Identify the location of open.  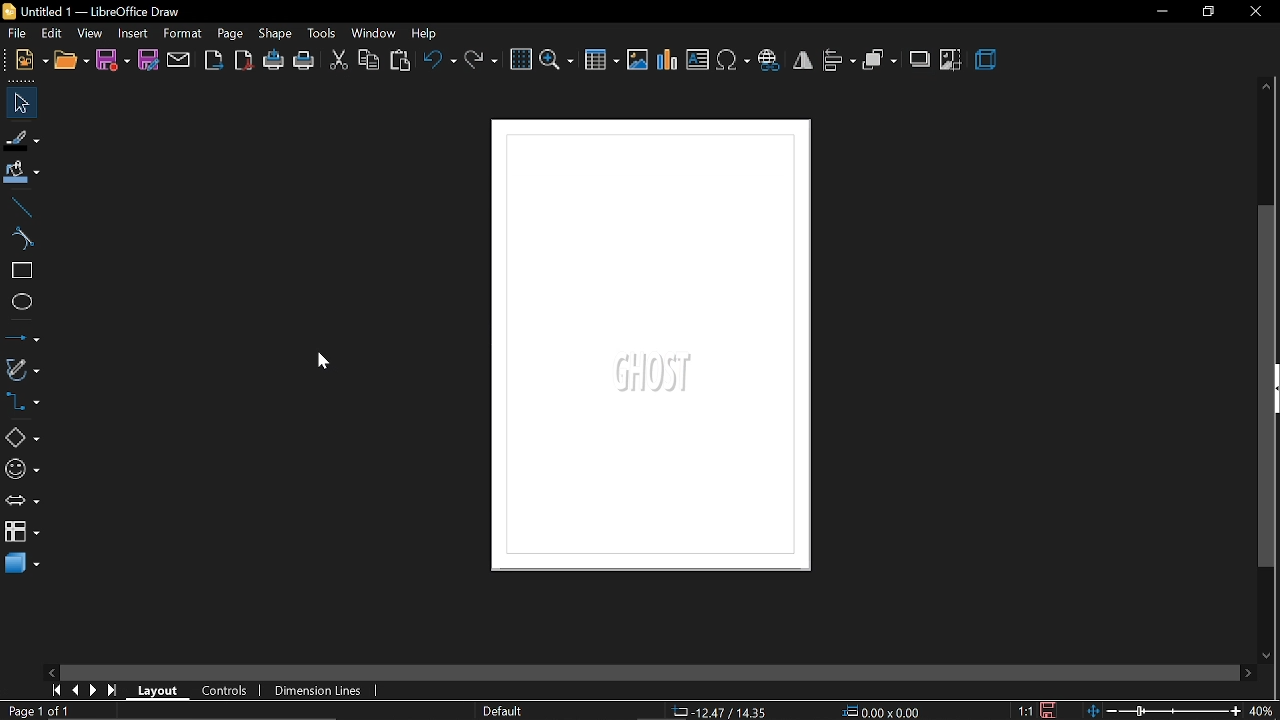
(71, 60).